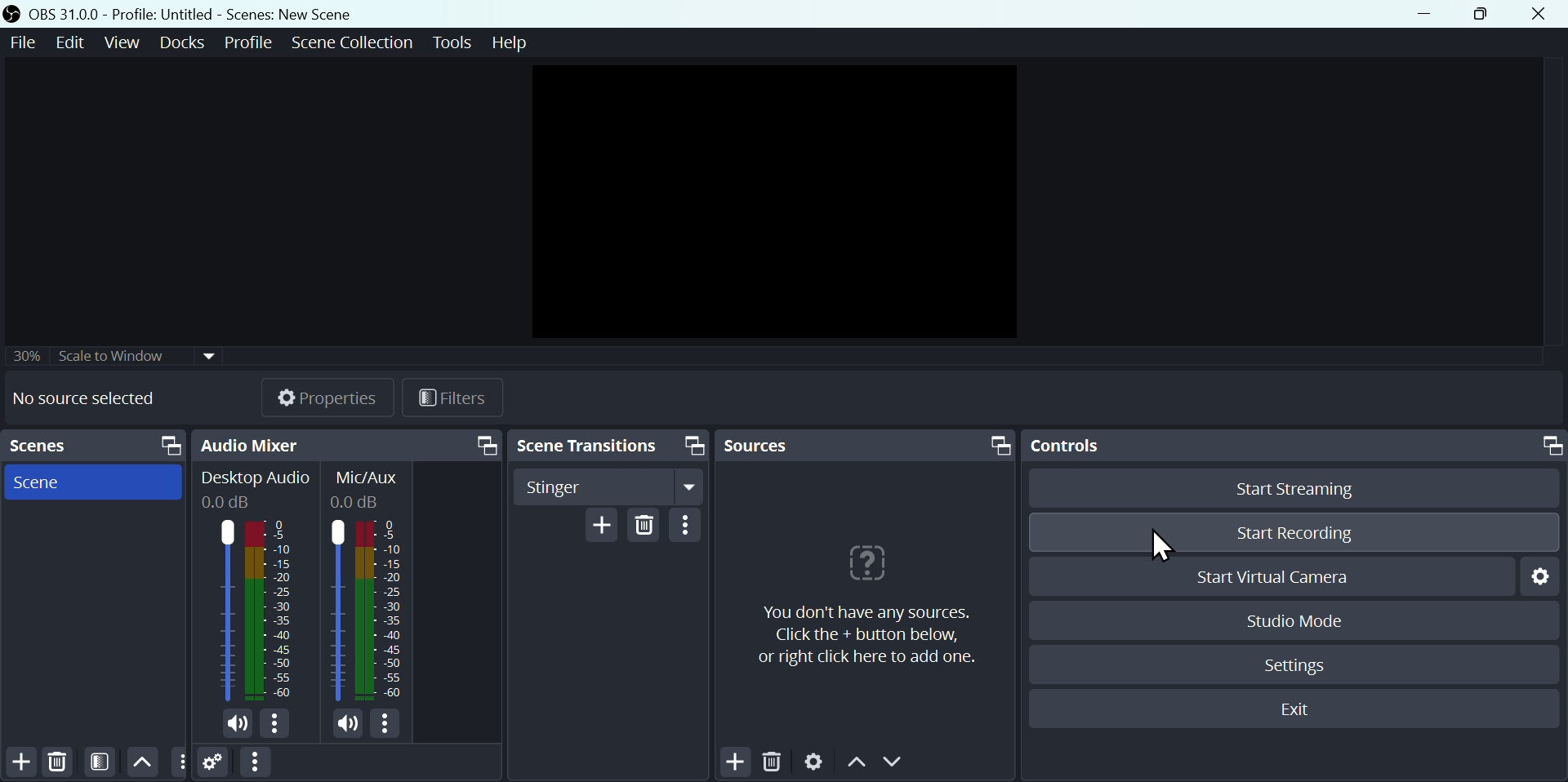  Describe the element at coordinates (20, 762) in the screenshot. I see `add` at that location.